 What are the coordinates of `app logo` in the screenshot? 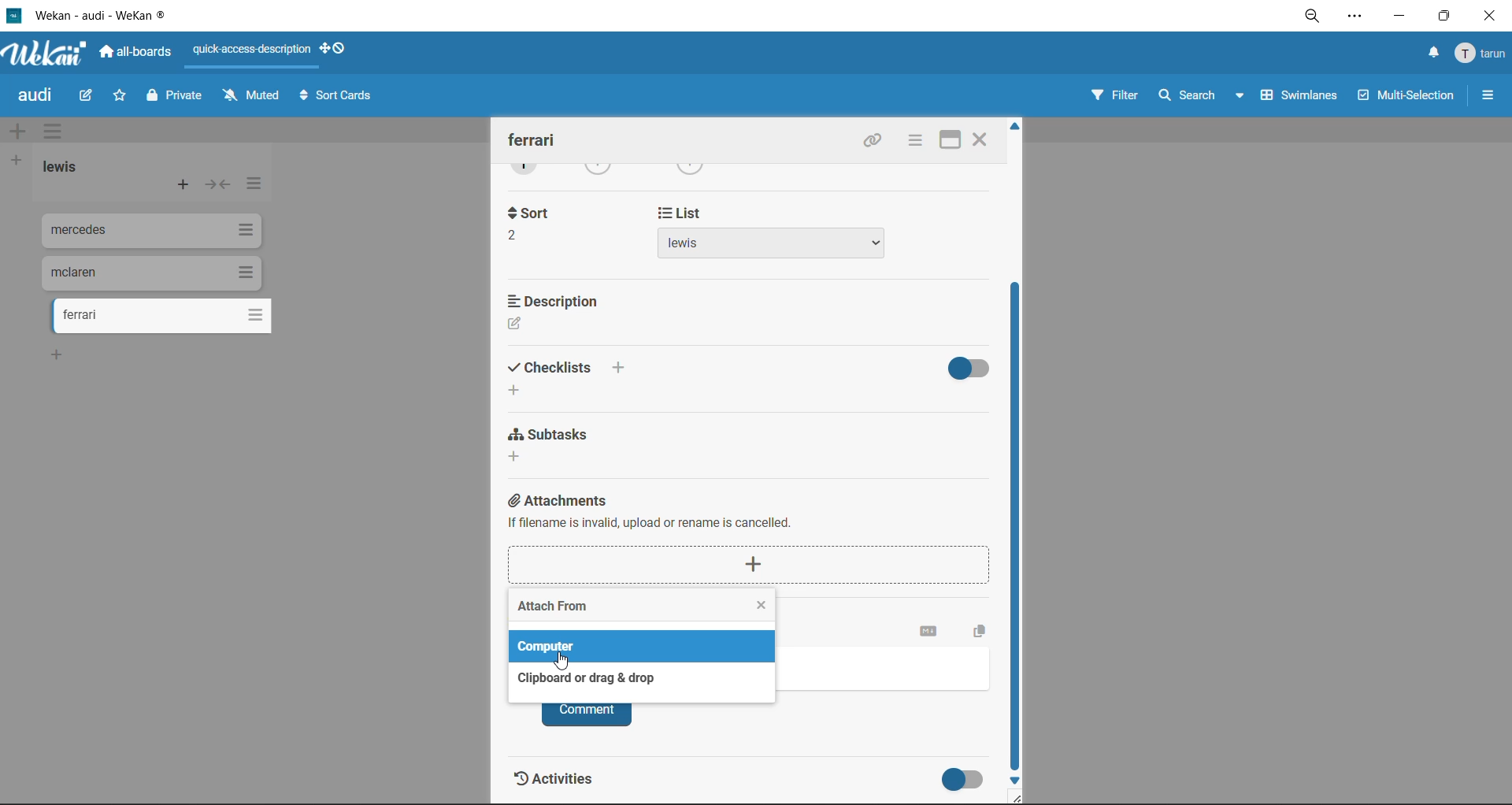 It's located at (53, 54).